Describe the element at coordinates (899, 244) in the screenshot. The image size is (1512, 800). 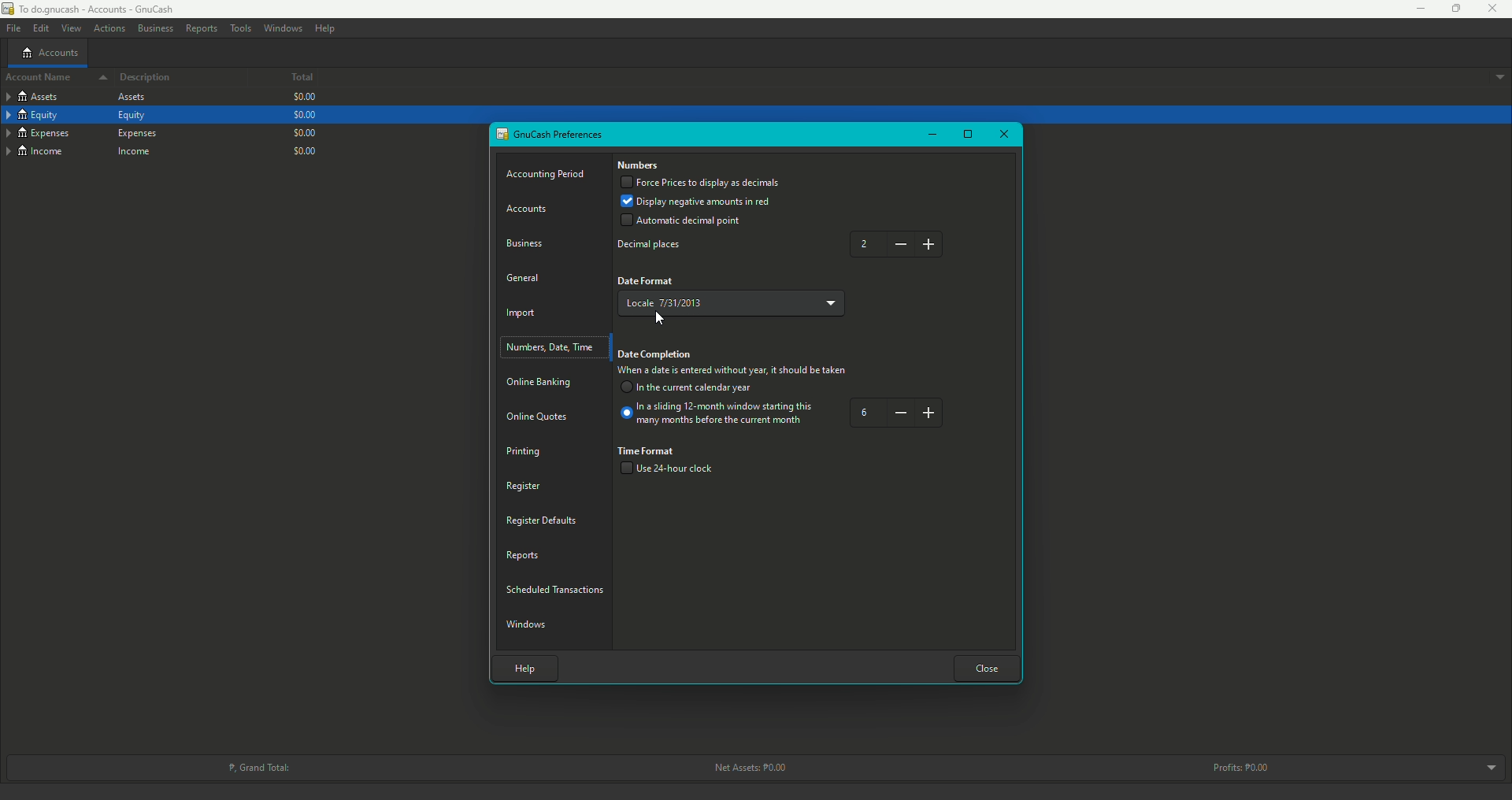
I see `2` at that location.